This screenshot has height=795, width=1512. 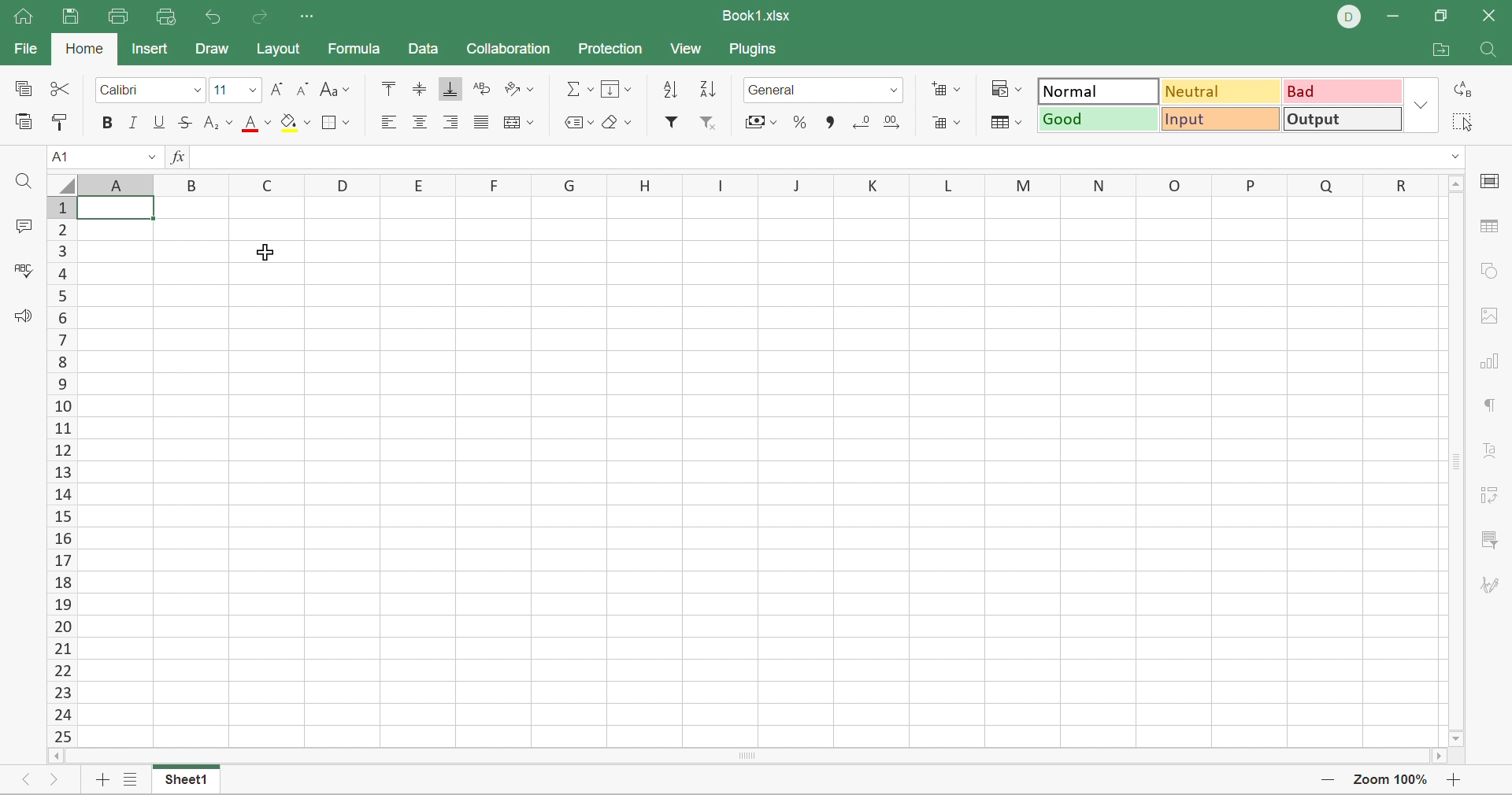 I want to click on Text Art settings, so click(x=1492, y=450).